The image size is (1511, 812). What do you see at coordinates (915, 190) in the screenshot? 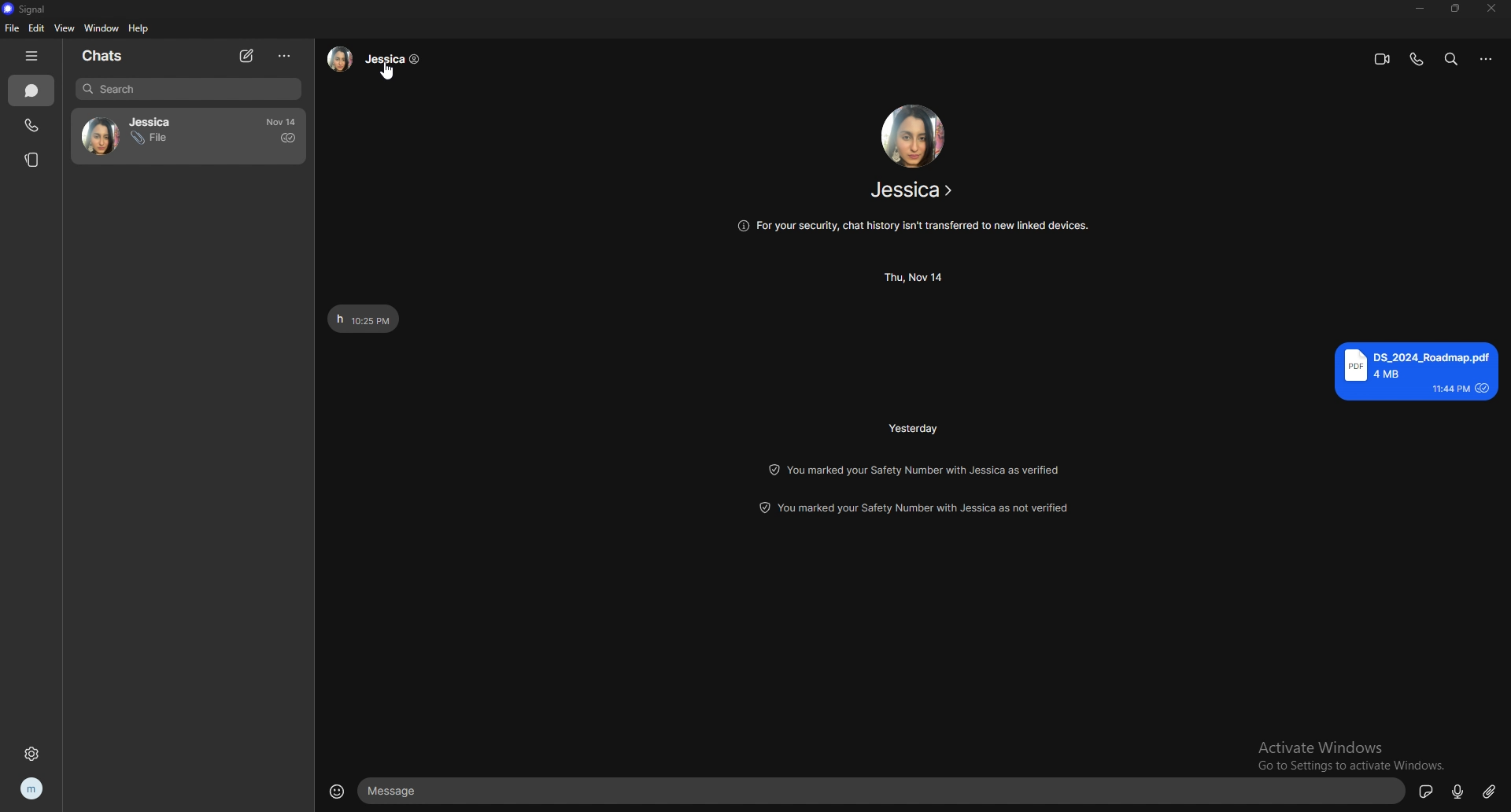
I see `contact info` at bounding box center [915, 190].